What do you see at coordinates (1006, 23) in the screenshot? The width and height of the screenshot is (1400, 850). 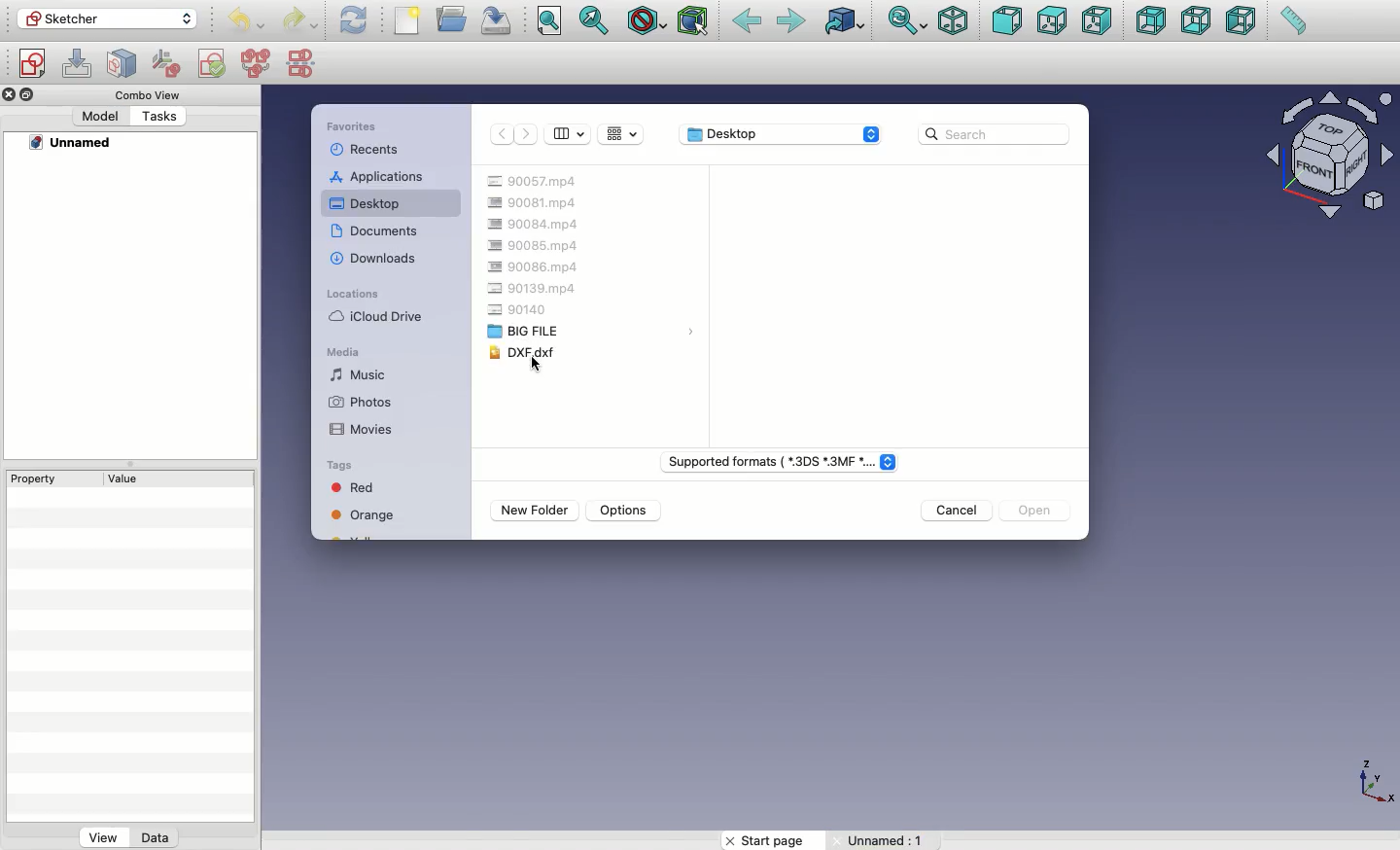 I see `Front` at bounding box center [1006, 23].